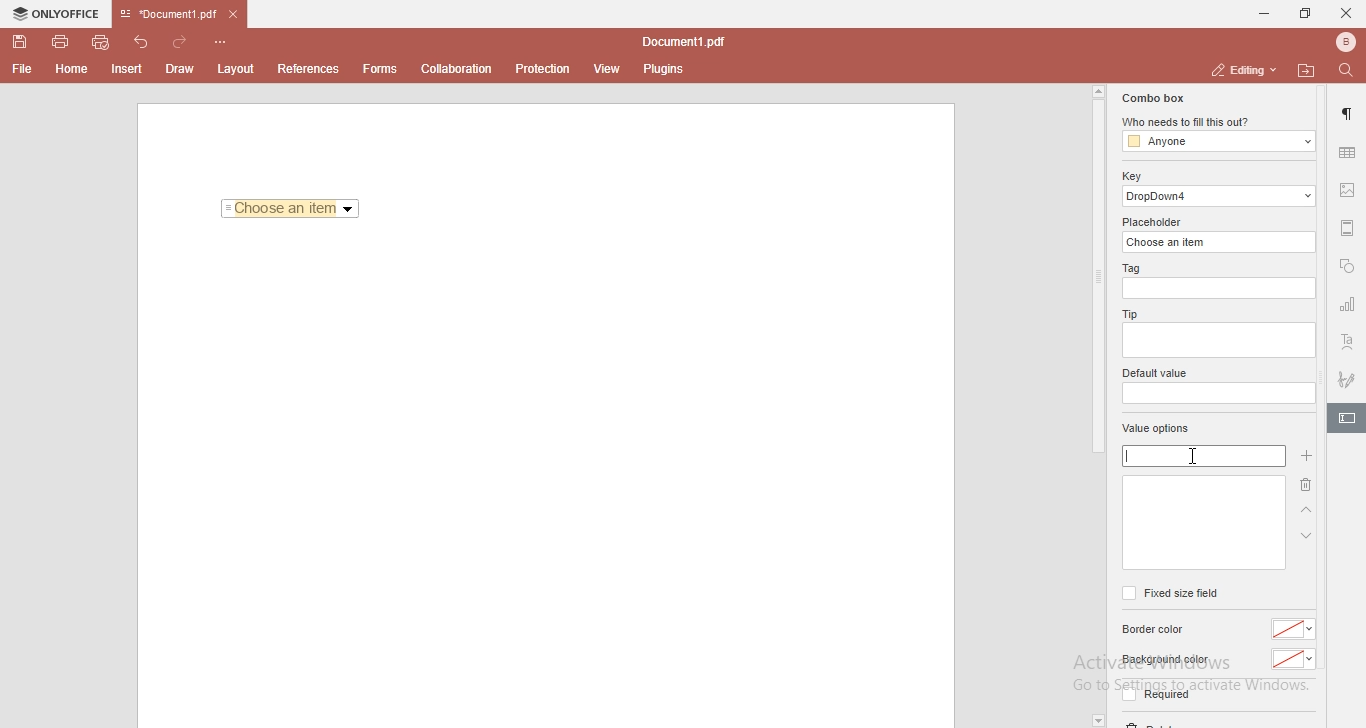  Describe the element at coordinates (73, 72) in the screenshot. I see `Home` at that location.